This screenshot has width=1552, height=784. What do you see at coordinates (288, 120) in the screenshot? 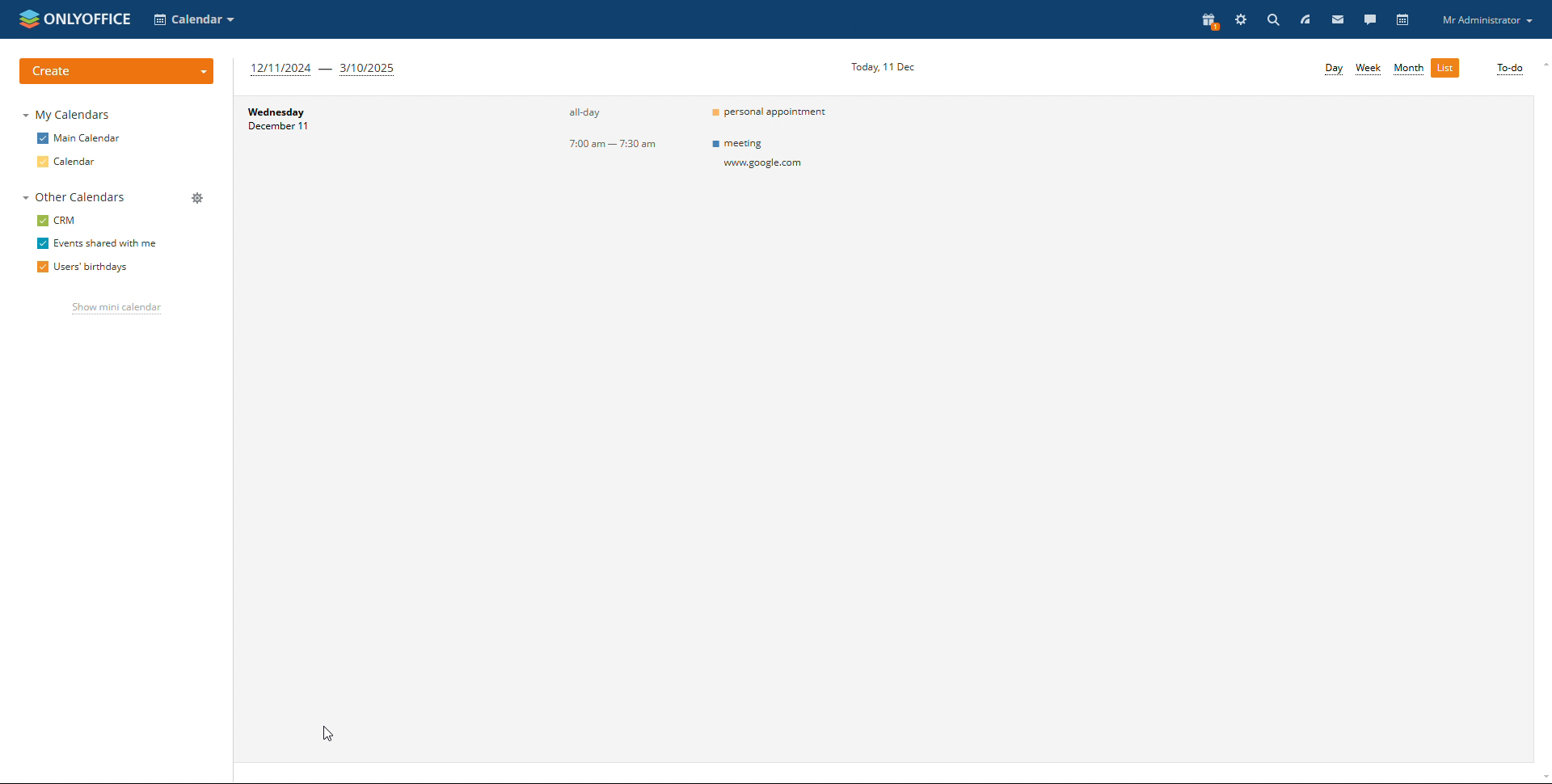
I see `day and date` at bounding box center [288, 120].